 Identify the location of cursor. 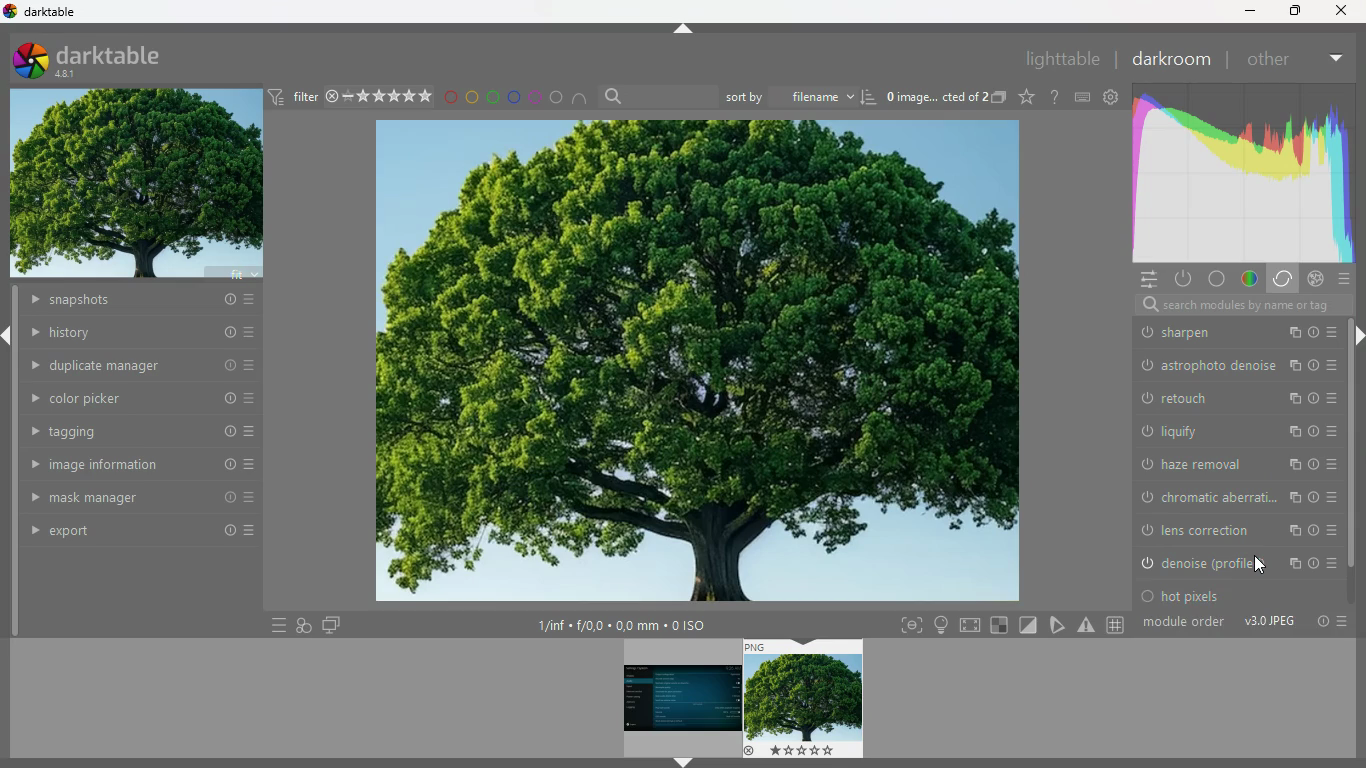
(1259, 564).